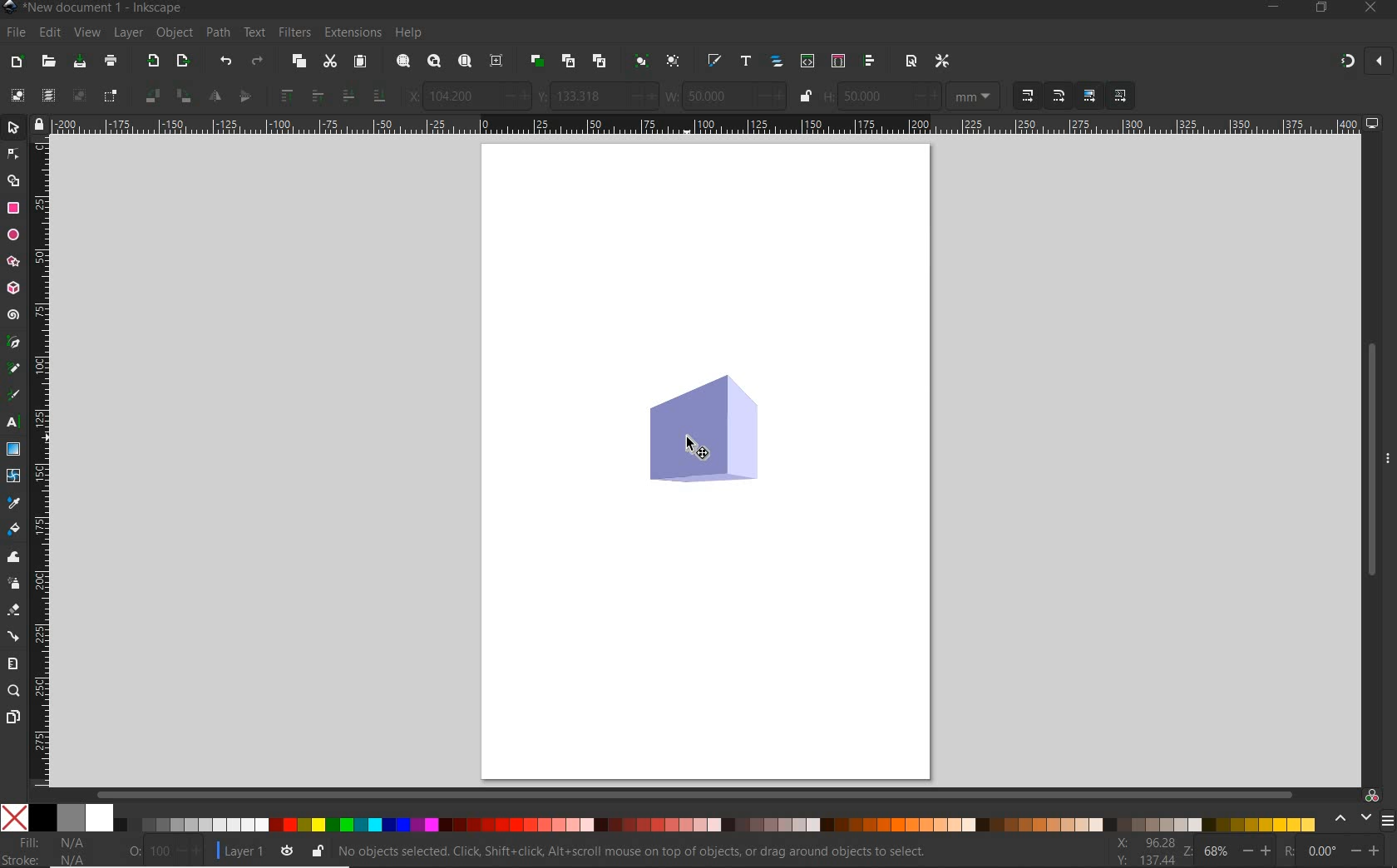  Describe the element at coordinates (13, 397) in the screenshot. I see `calligraphy tool` at that location.